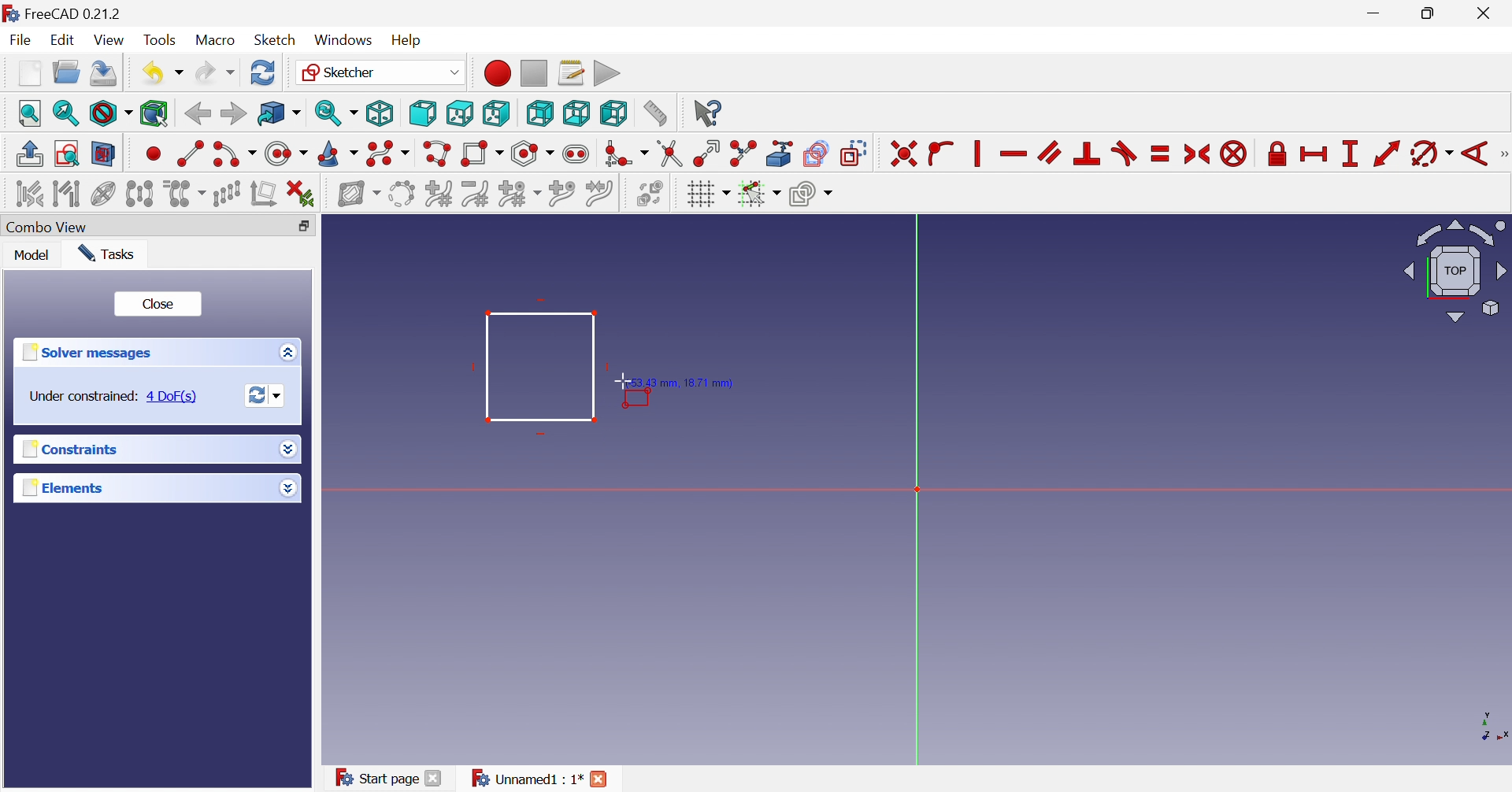  I want to click on Start page, so click(376, 776).